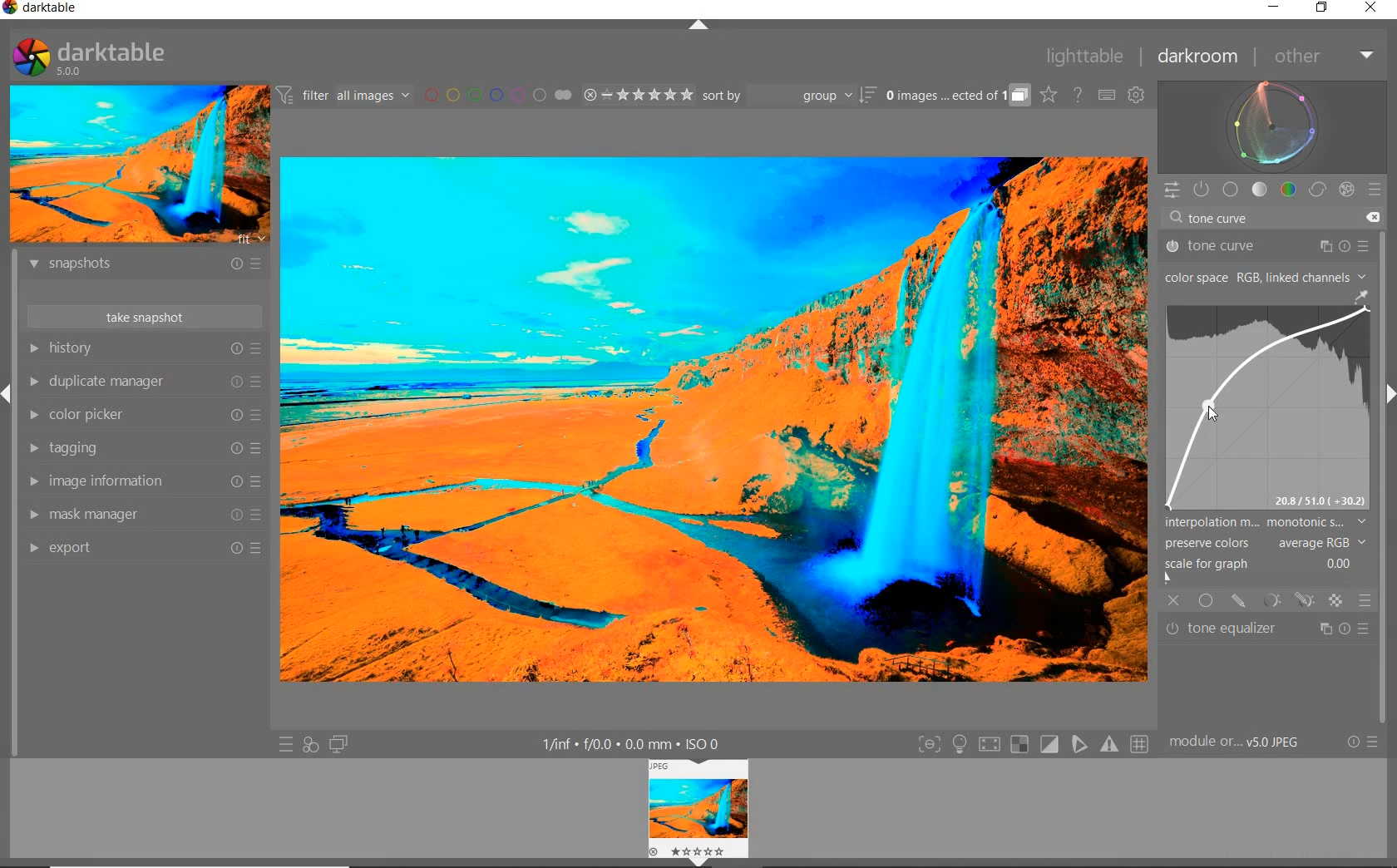 The height and width of the screenshot is (868, 1397). What do you see at coordinates (1269, 400) in the screenshot?
I see `TONE CURVE` at bounding box center [1269, 400].